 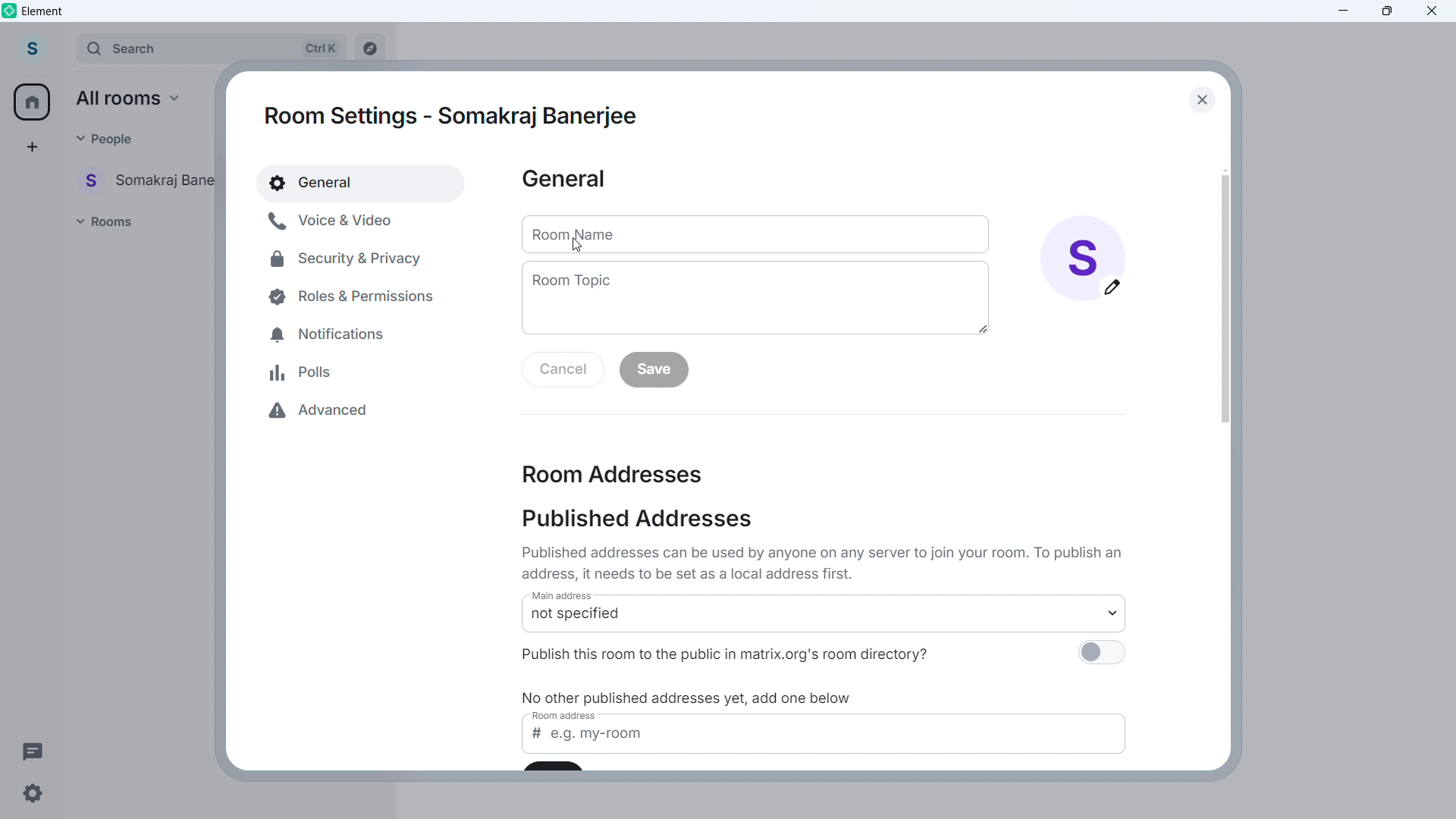 What do you see at coordinates (330, 412) in the screenshot?
I see `Advanced ` at bounding box center [330, 412].